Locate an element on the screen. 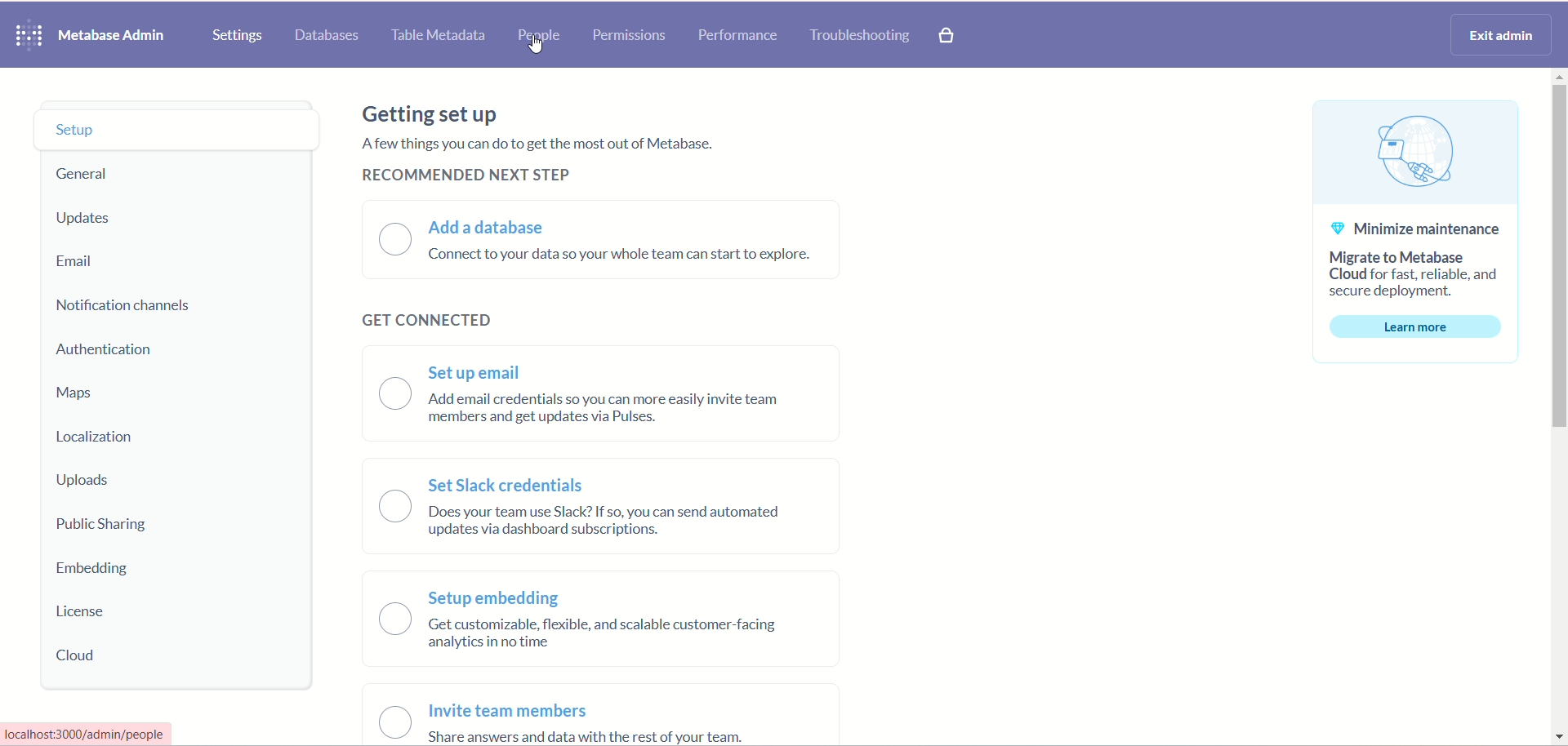 This screenshot has height=746, width=1568. metabase admin is located at coordinates (120, 36).